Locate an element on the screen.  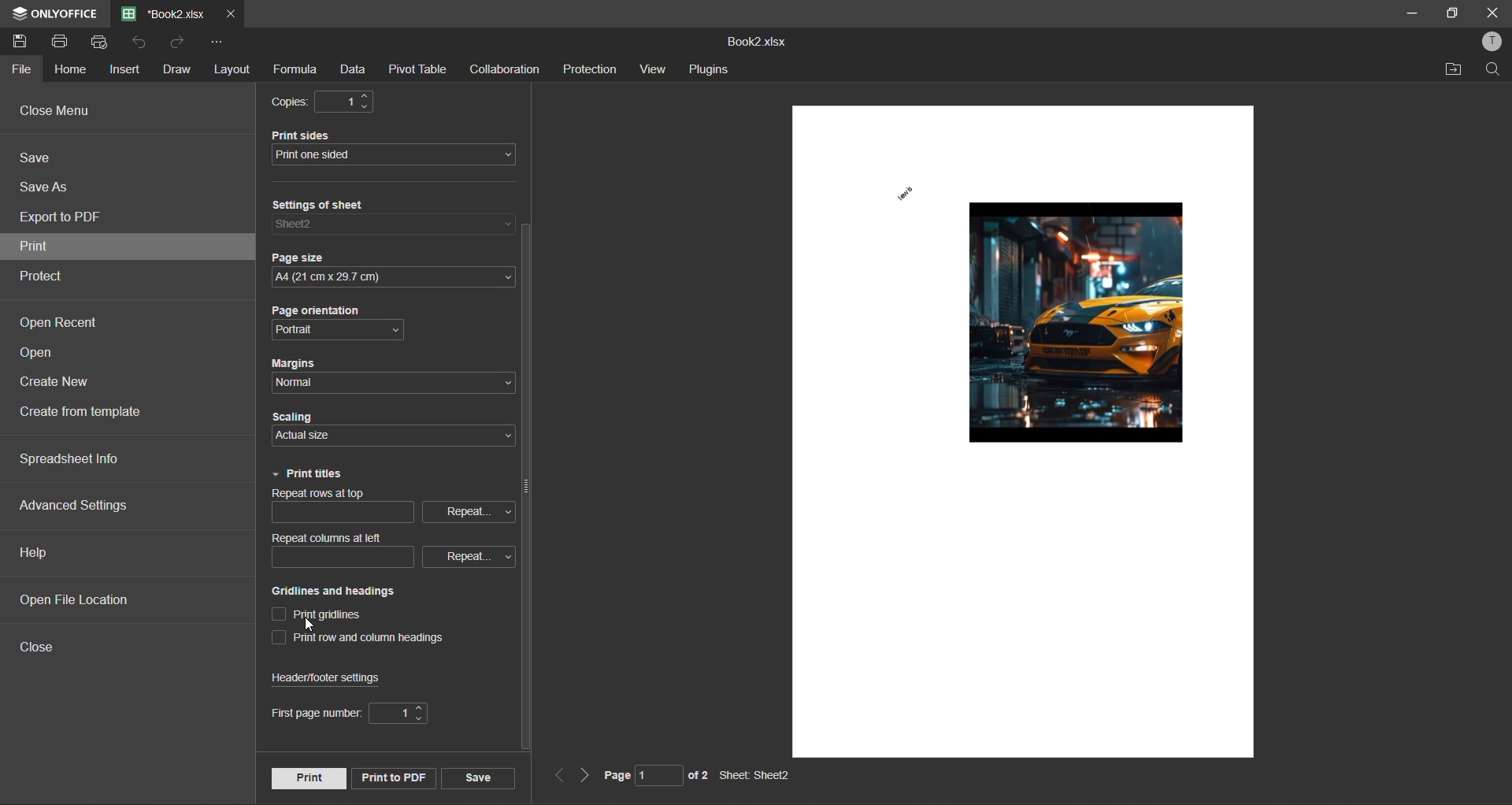
close  is located at coordinates (1495, 14).